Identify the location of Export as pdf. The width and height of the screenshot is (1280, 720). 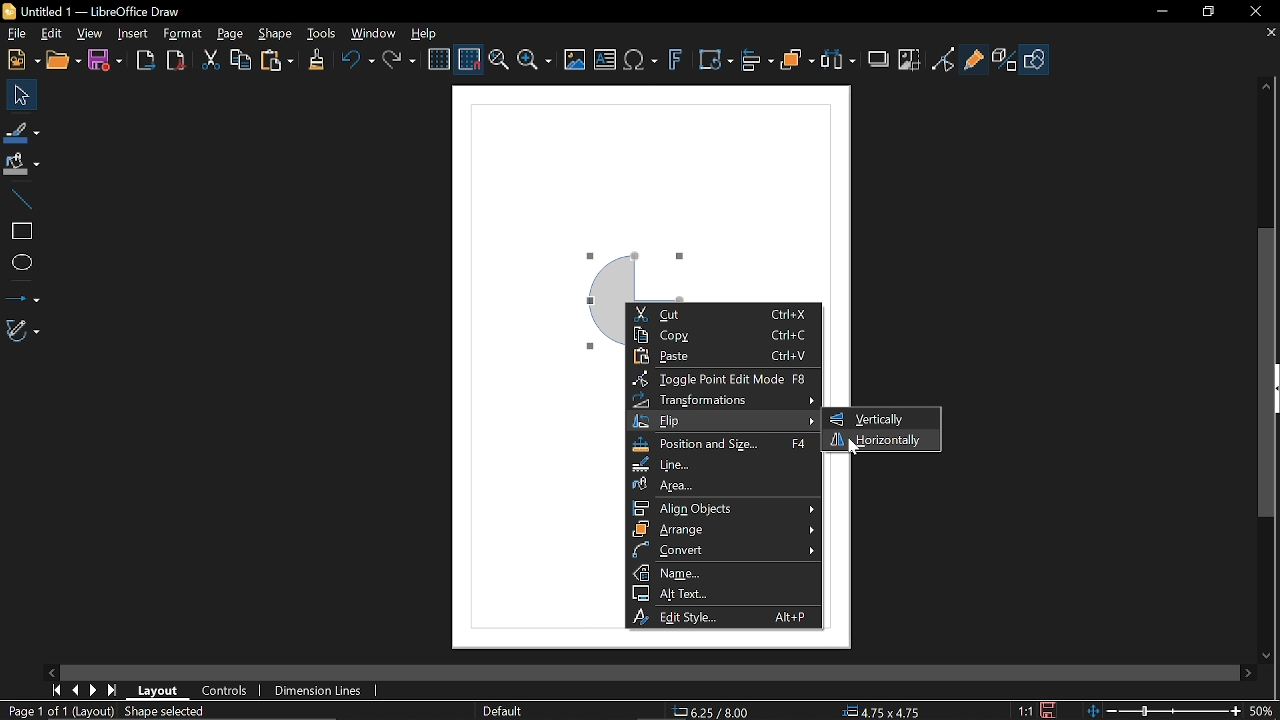
(175, 60).